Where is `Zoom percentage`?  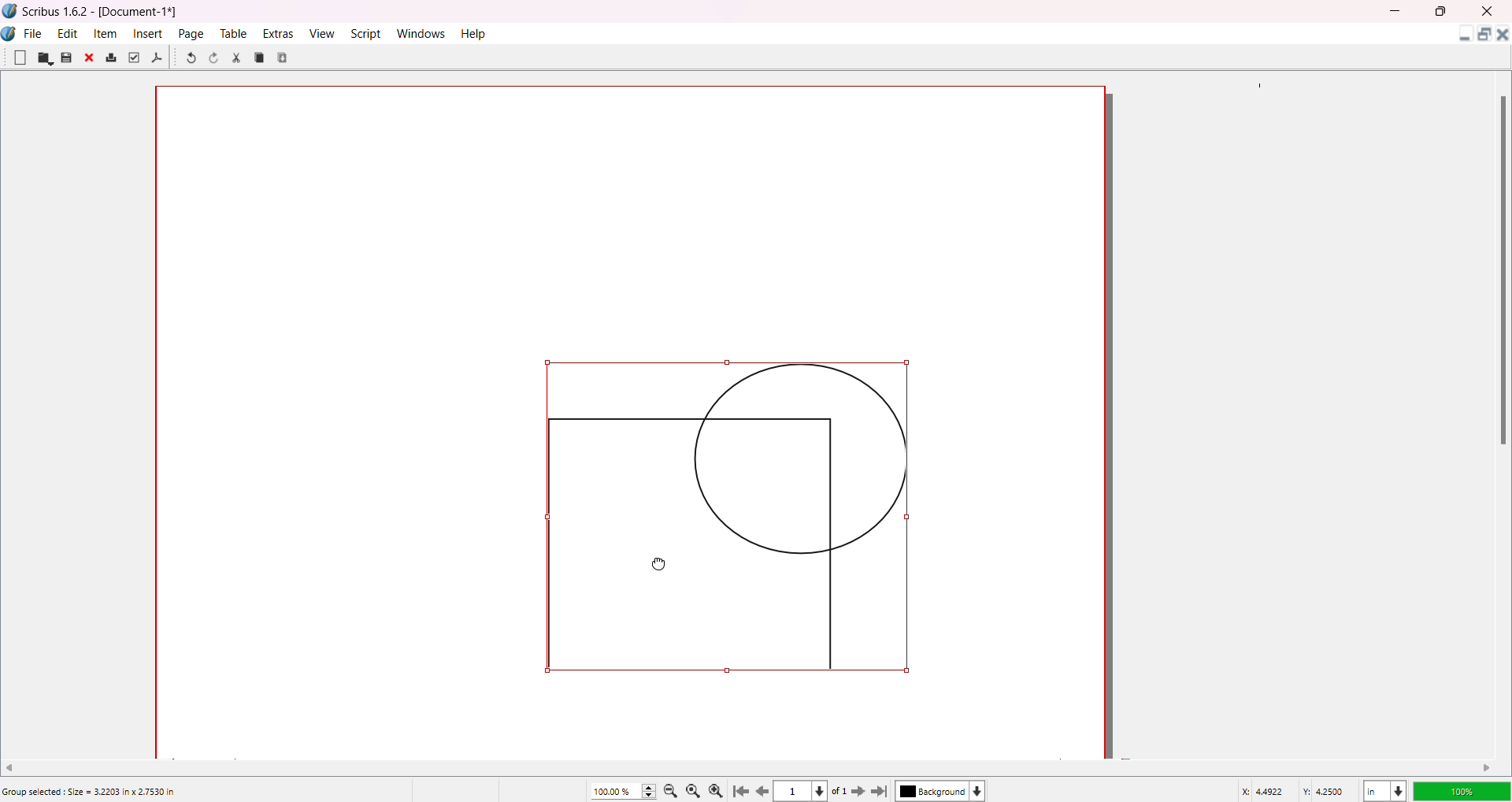
Zoom percentage is located at coordinates (614, 790).